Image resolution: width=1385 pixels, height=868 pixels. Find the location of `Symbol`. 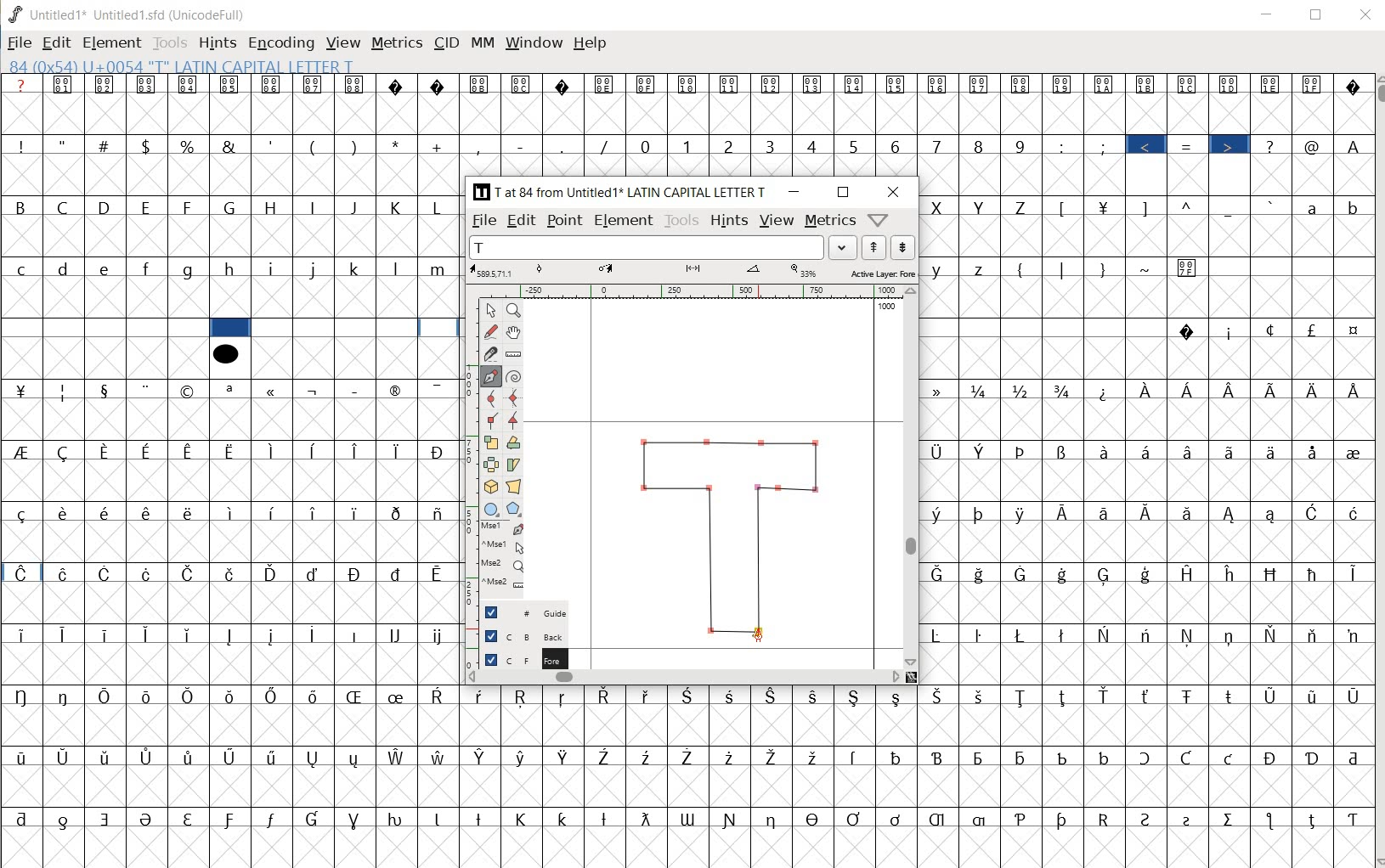

Symbol is located at coordinates (1188, 332).